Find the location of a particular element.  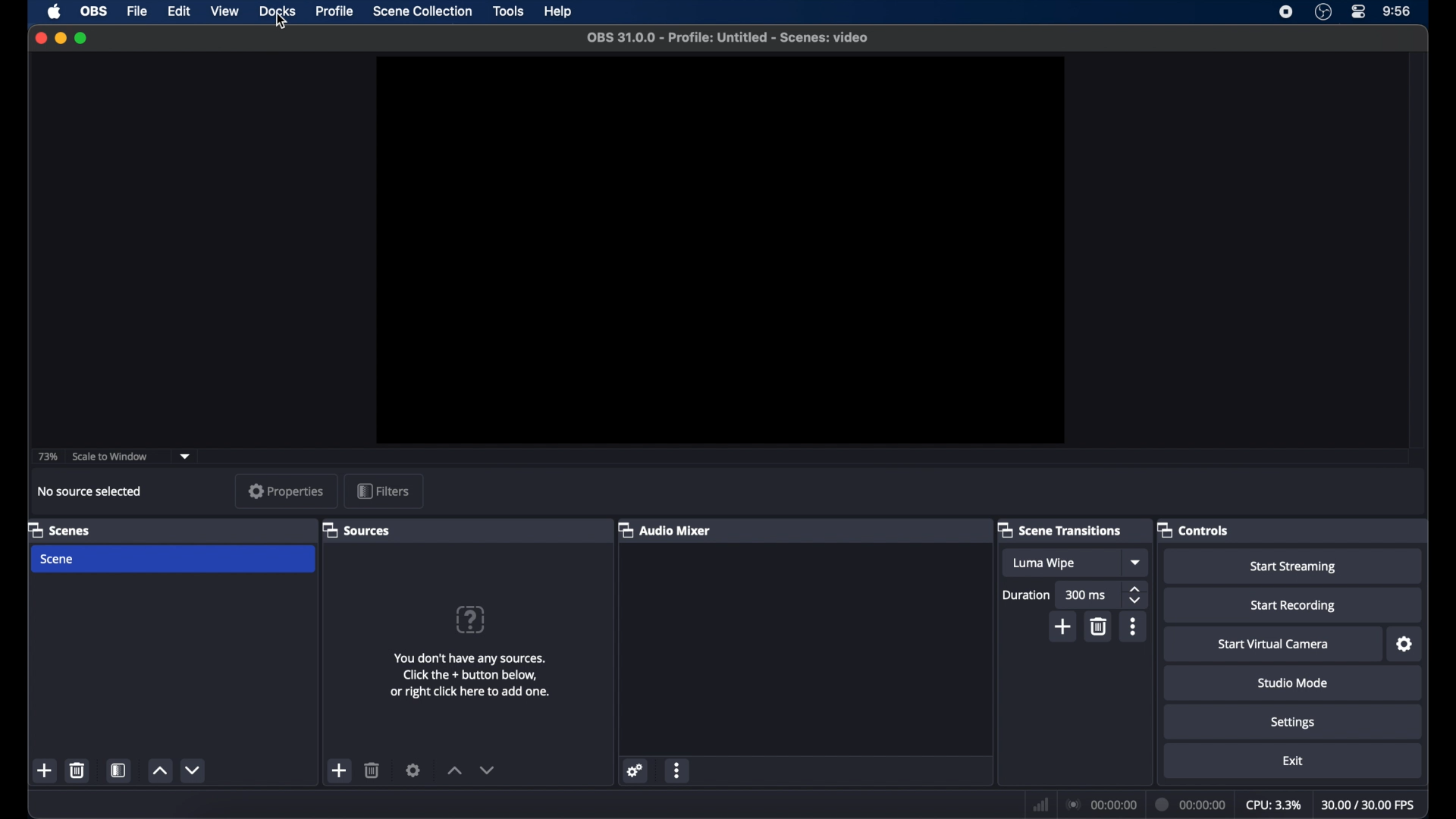

docks is located at coordinates (277, 11).